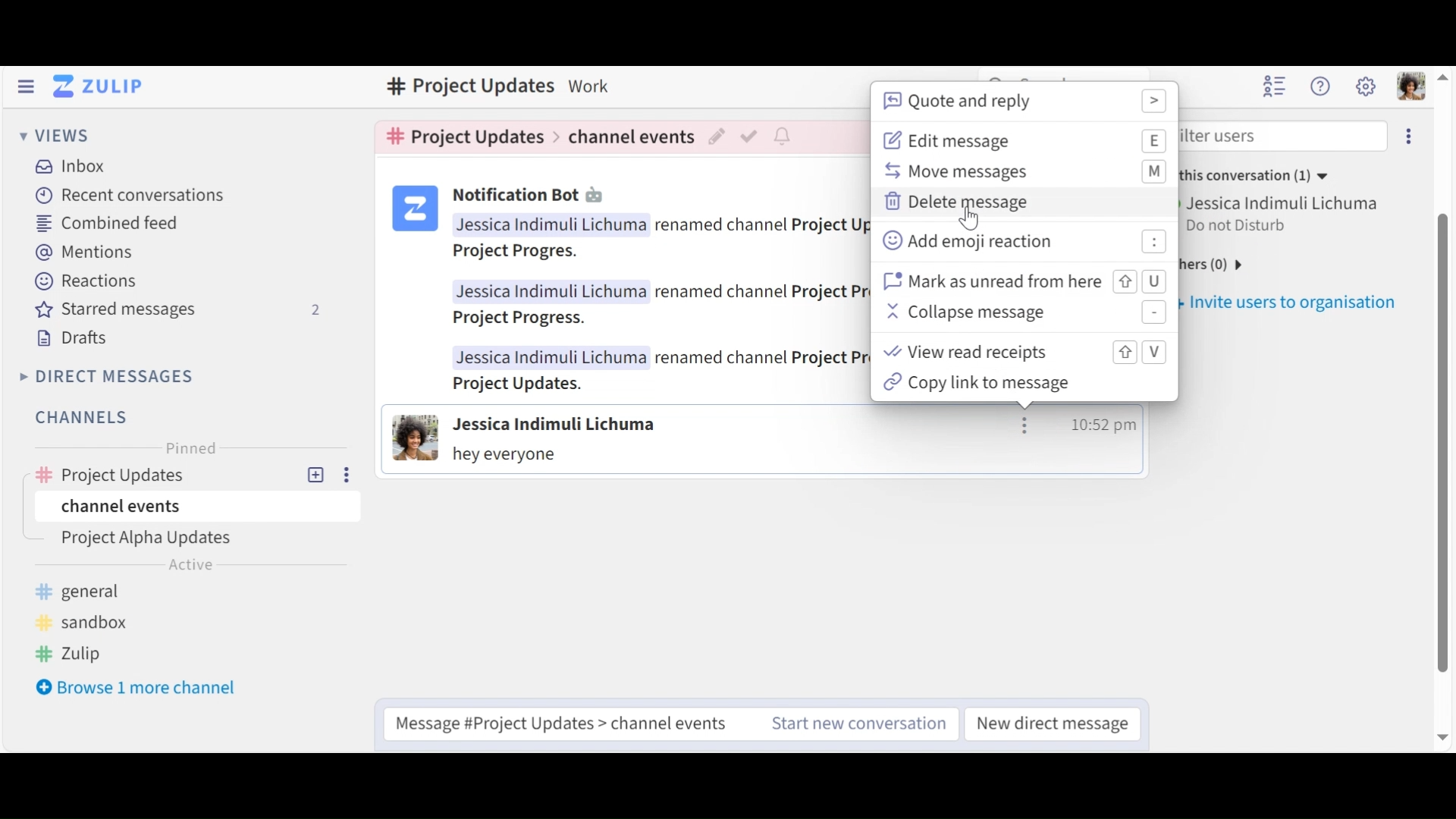 This screenshot has width=1456, height=819. What do you see at coordinates (718, 137) in the screenshot?
I see `Edit topic` at bounding box center [718, 137].